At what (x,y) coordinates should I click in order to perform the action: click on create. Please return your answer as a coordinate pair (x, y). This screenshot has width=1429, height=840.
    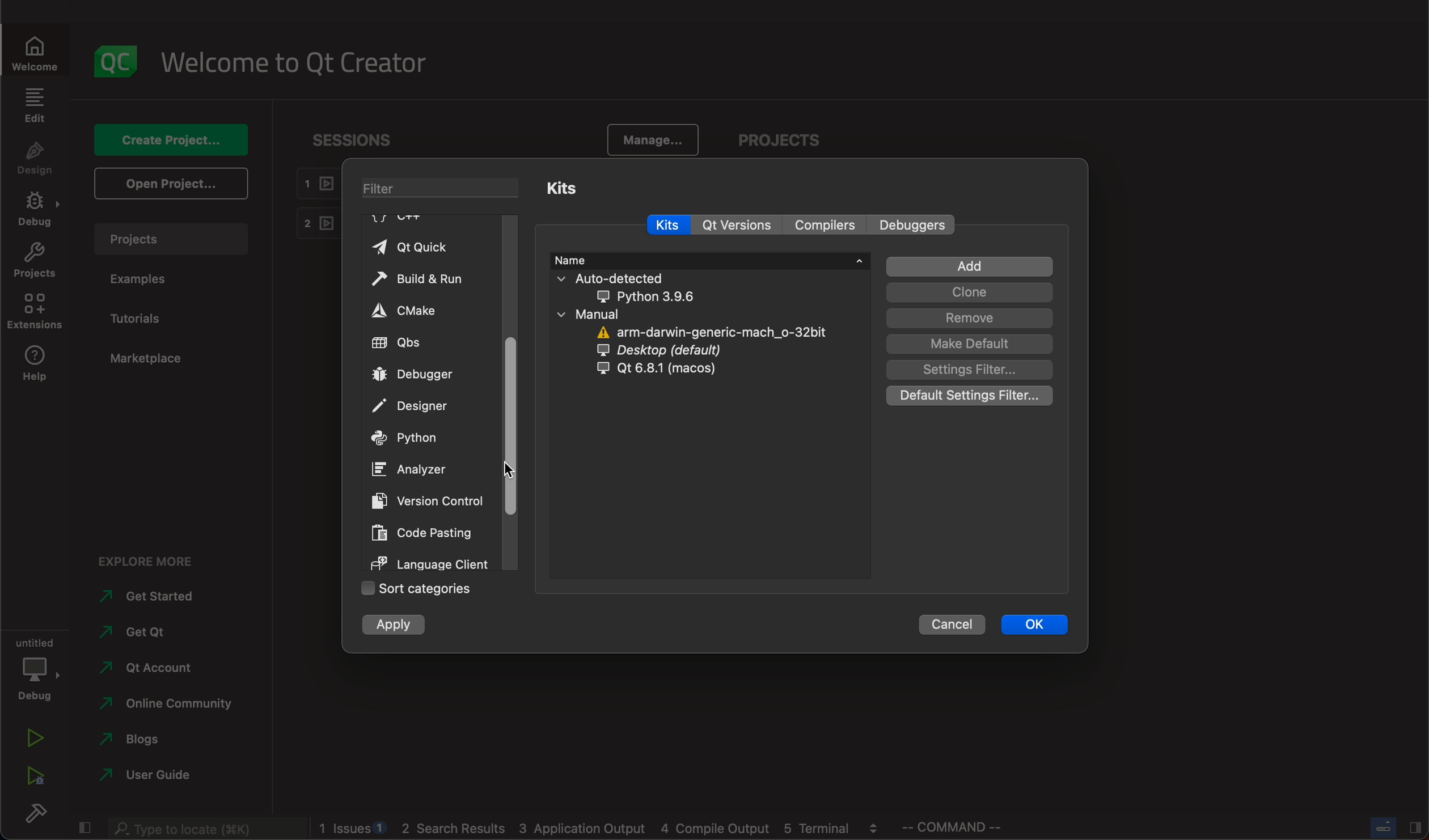
    Looking at the image, I should click on (168, 139).